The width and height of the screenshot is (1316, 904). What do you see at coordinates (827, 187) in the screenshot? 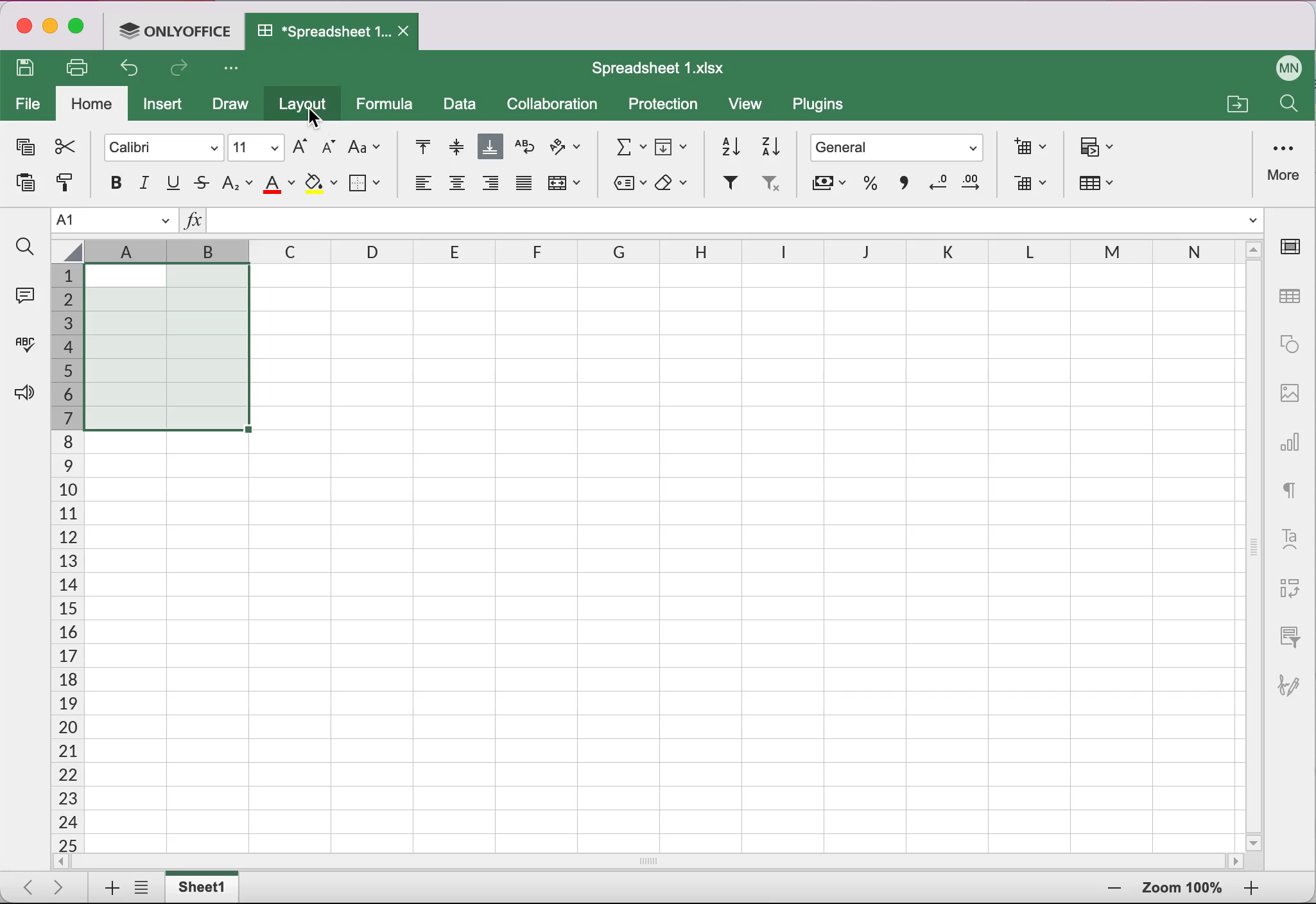
I see `accounting style` at bounding box center [827, 187].